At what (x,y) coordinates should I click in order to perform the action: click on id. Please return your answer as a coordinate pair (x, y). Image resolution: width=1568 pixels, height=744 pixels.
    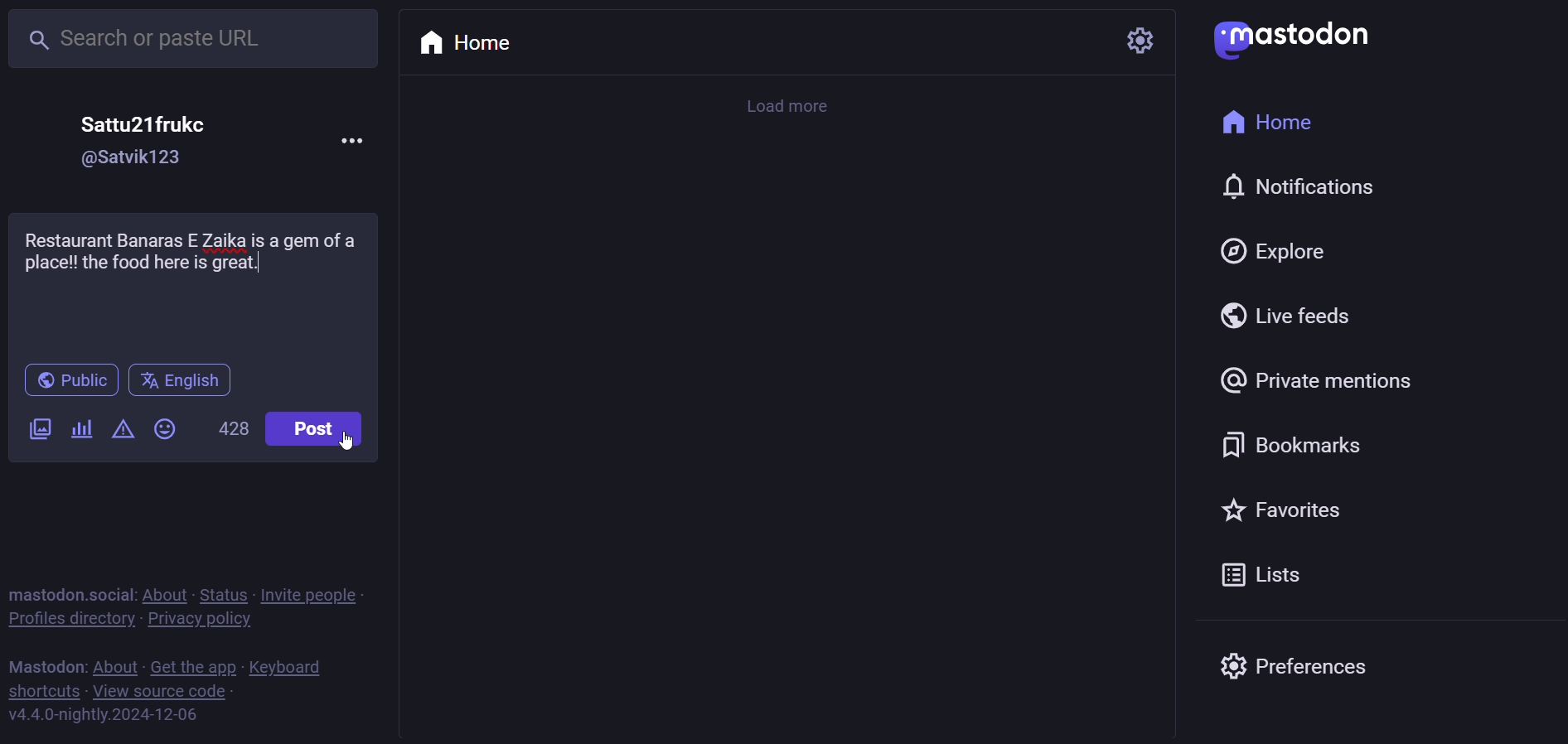
    Looking at the image, I should click on (133, 159).